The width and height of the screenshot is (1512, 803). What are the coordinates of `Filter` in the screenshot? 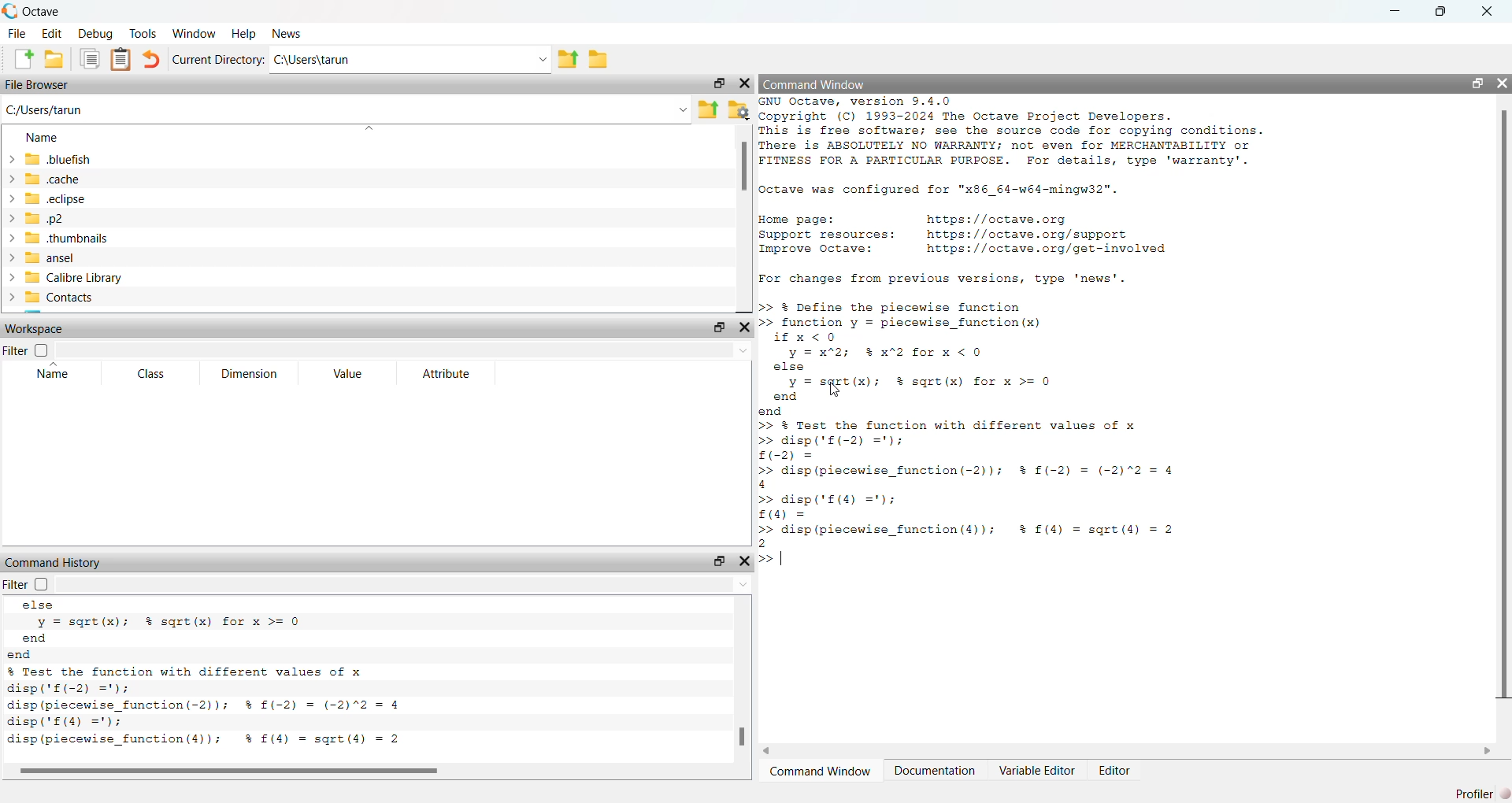 It's located at (42, 584).